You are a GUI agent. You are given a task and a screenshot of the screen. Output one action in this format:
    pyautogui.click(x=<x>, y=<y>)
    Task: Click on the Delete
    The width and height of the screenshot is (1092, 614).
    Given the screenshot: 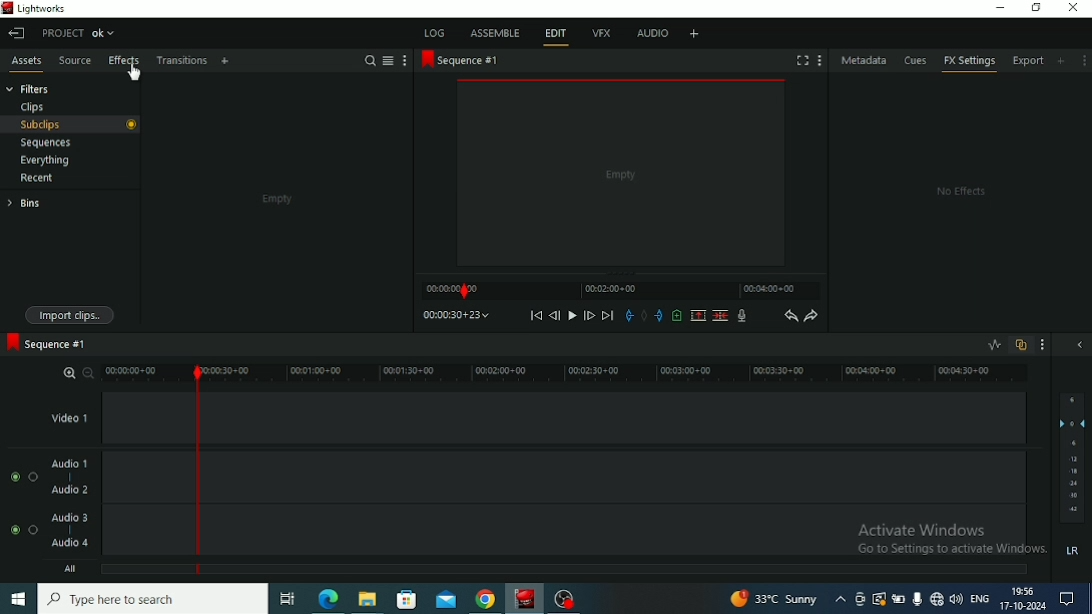 What is the action you would take?
    pyautogui.click(x=720, y=315)
    